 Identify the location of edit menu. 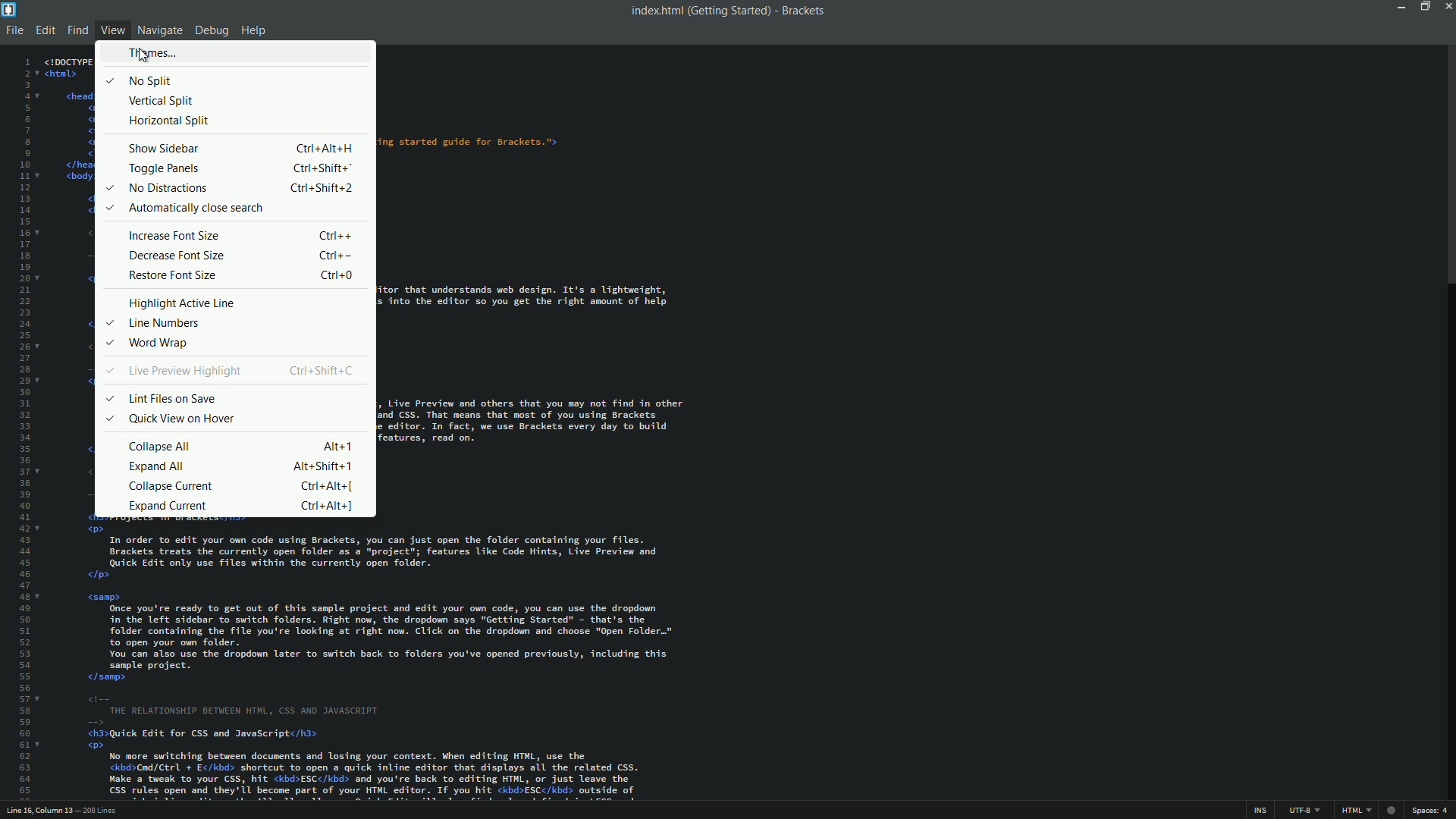
(45, 31).